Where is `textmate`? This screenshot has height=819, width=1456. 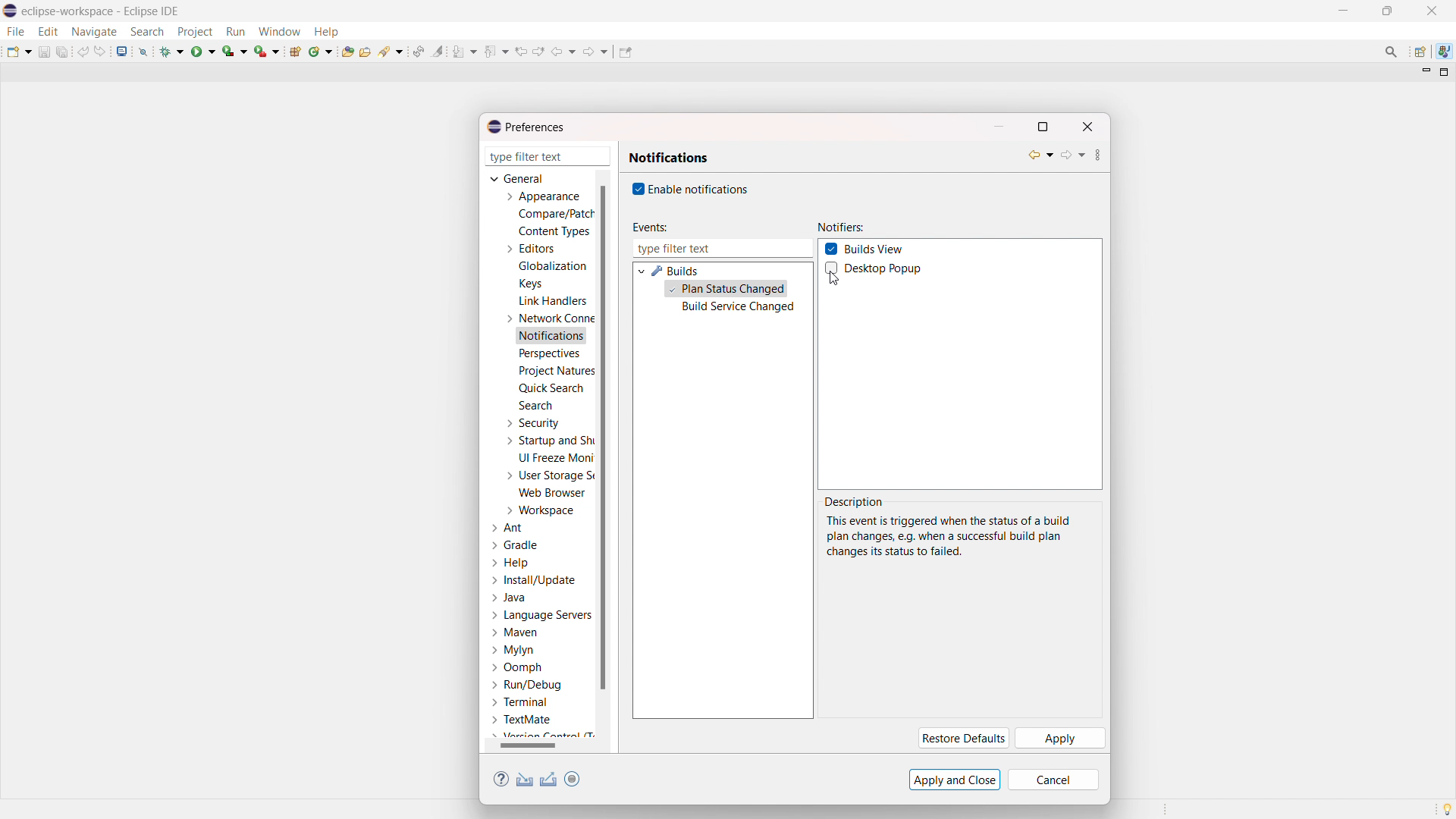
textmate is located at coordinates (523, 719).